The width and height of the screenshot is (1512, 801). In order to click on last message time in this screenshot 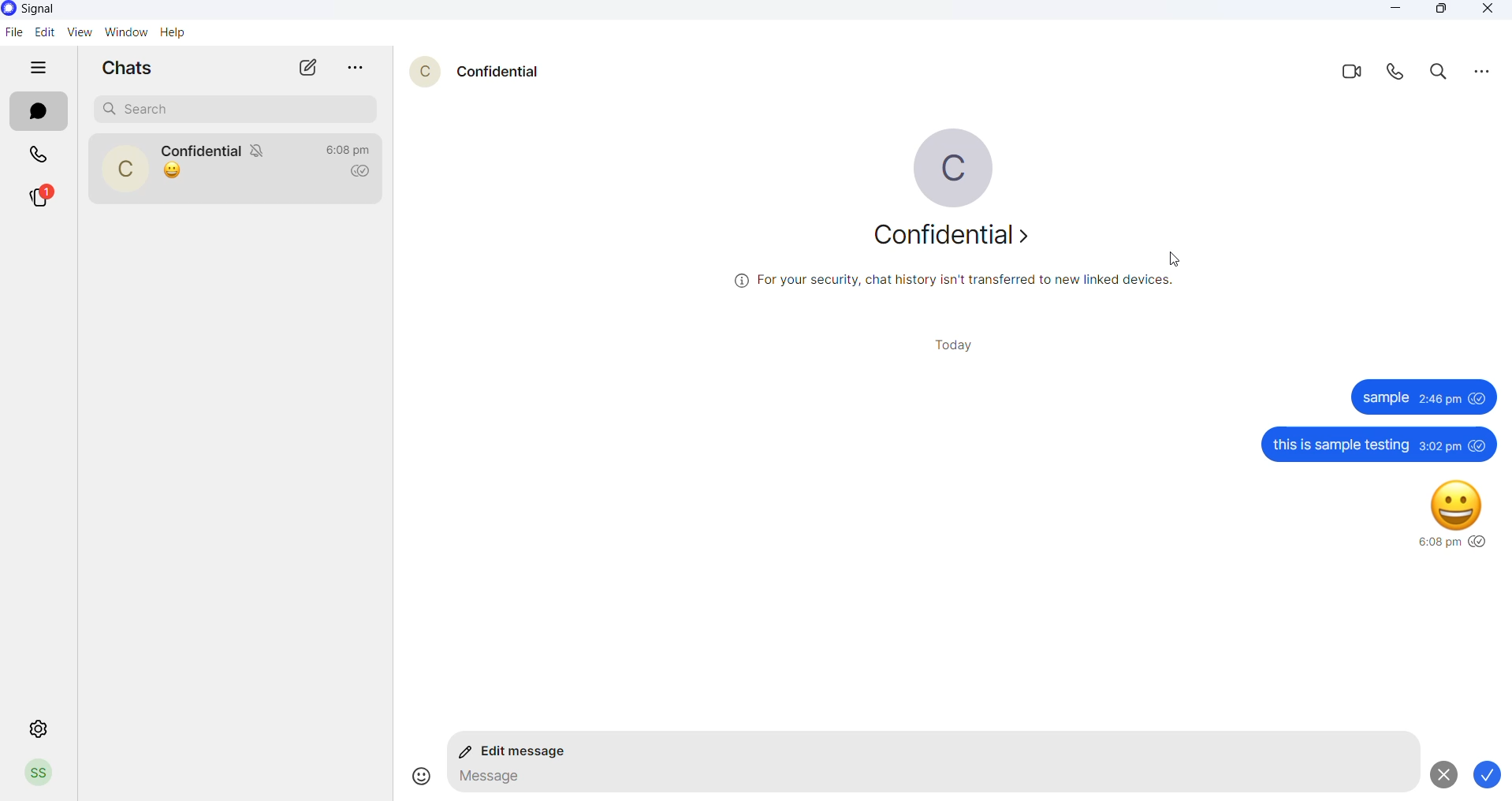, I will do `click(348, 149)`.